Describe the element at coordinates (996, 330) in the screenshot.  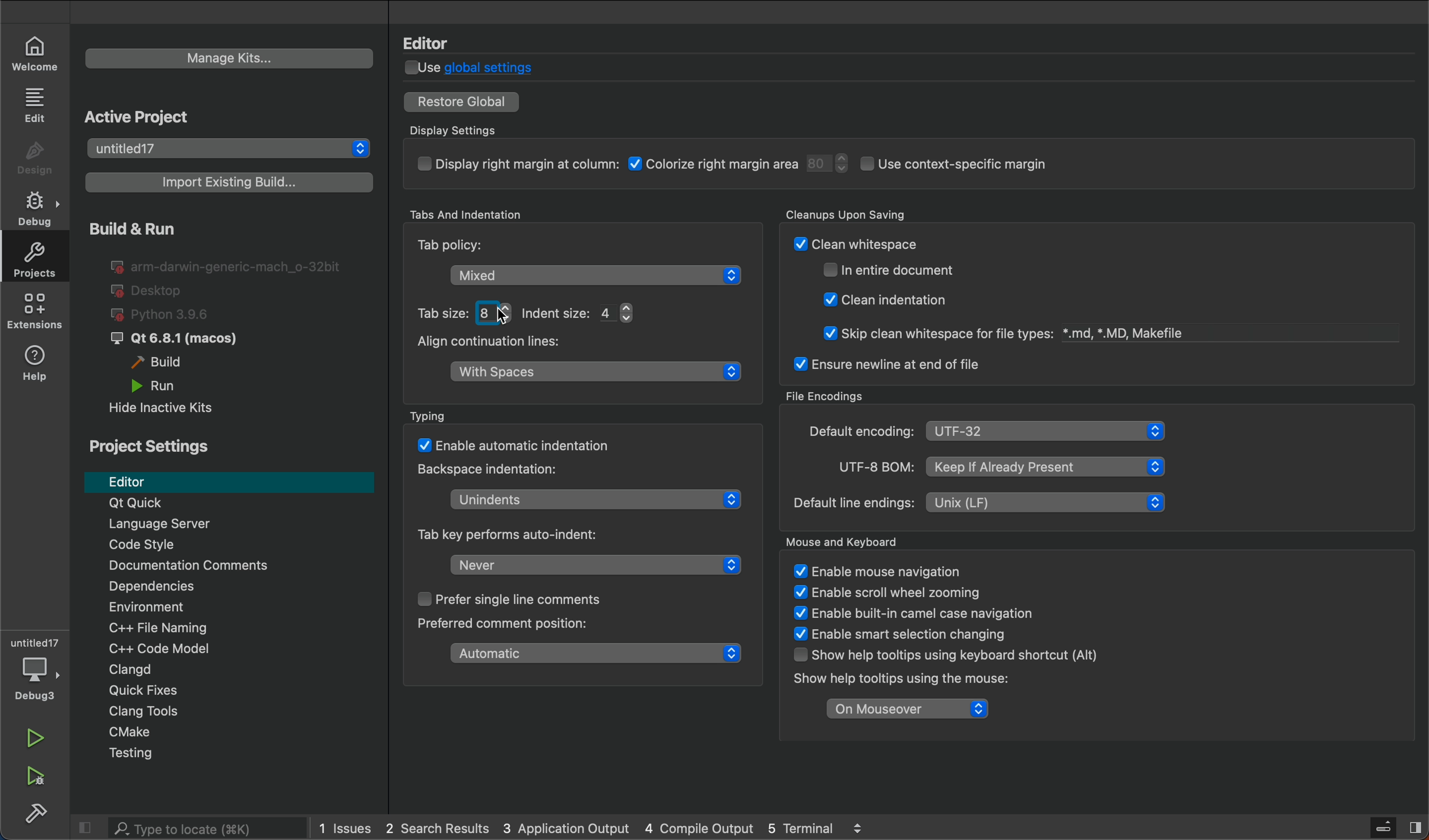
I see `Skip clean whitespace for file types: *.md, *.MD, Makefile` at that location.